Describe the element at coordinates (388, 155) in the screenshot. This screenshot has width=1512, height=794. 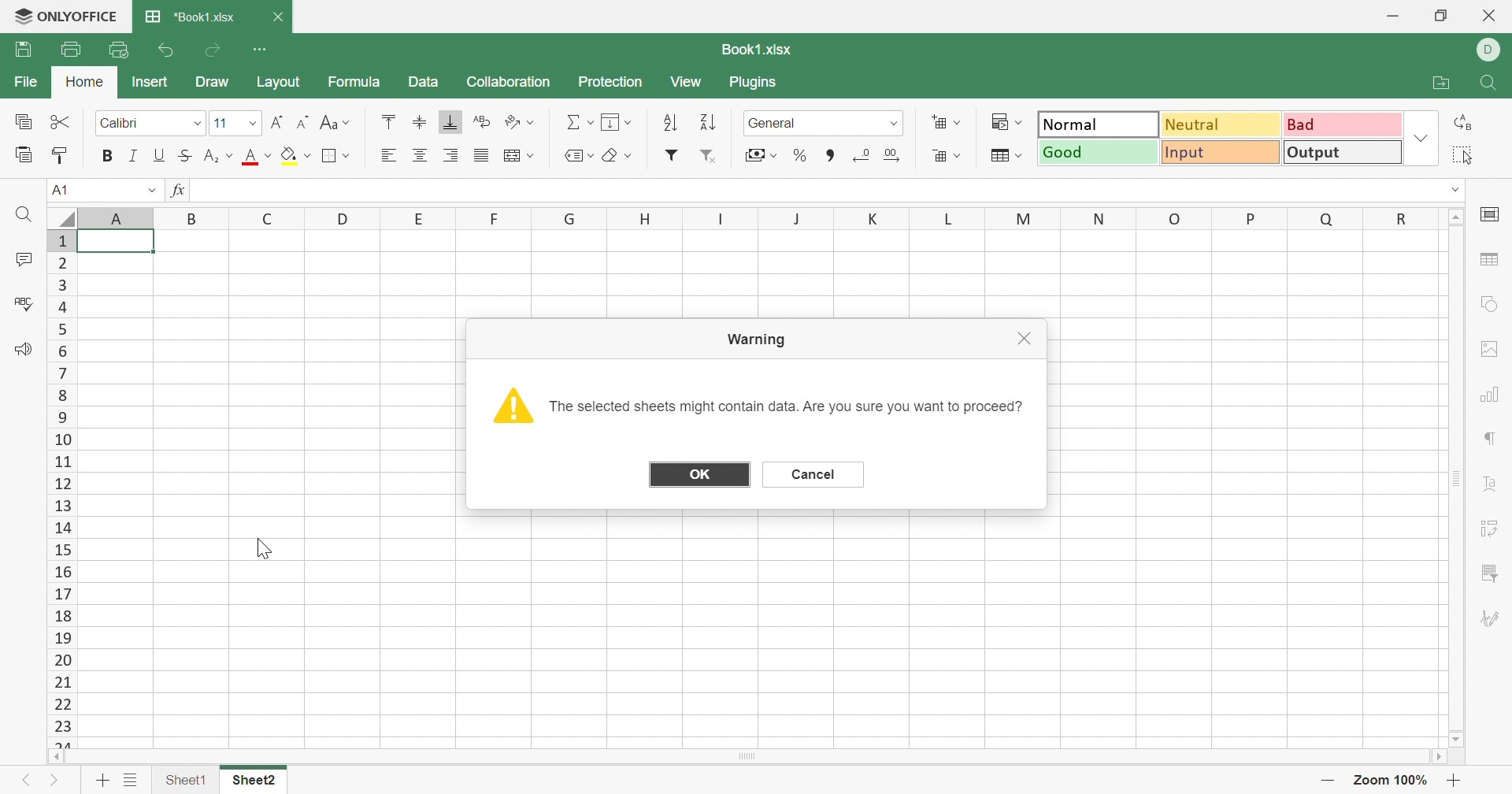
I see `Align Left` at that location.